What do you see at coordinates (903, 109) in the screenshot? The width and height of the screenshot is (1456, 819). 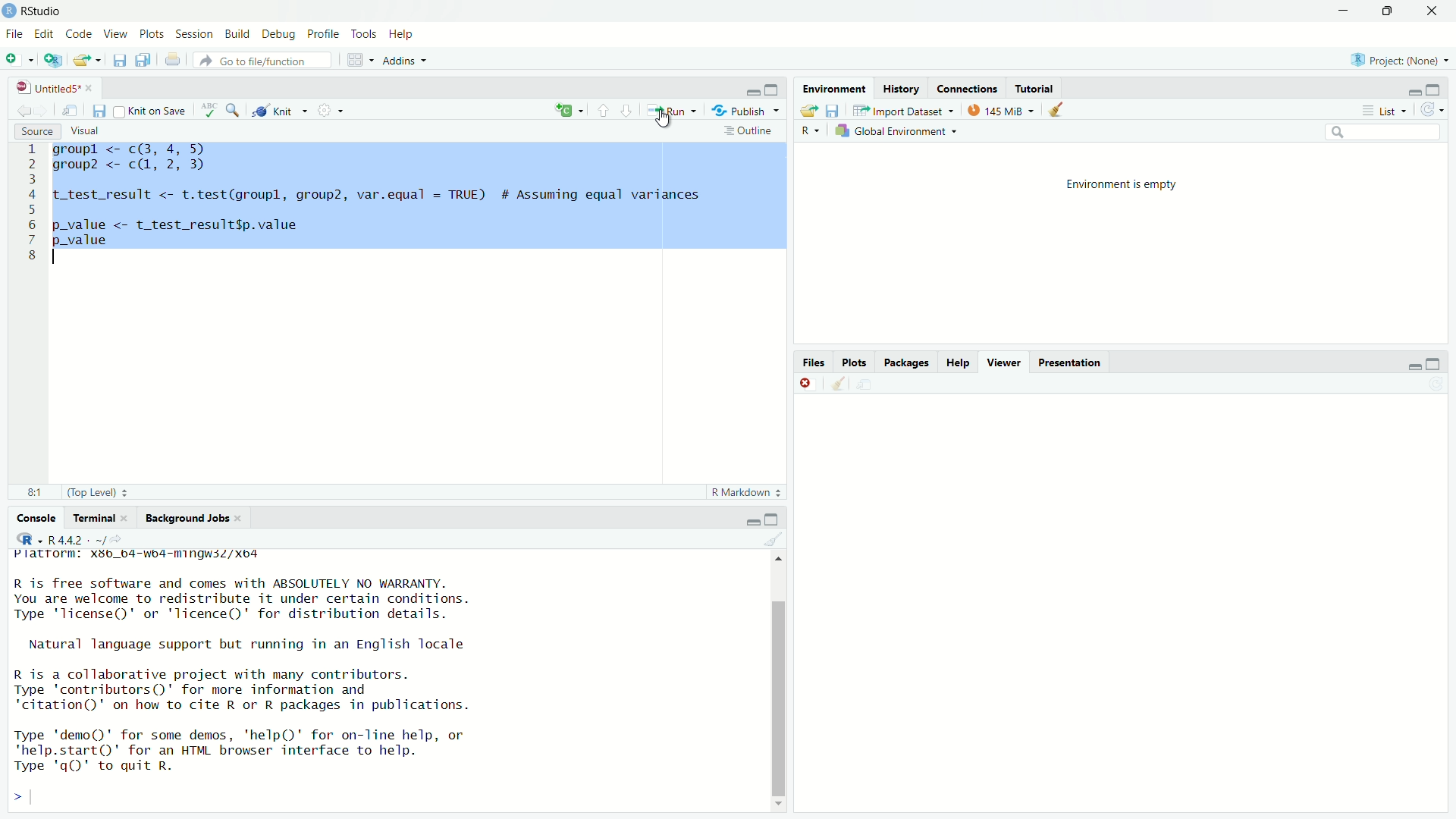 I see `Import dataset` at bounding box center [903, 109].